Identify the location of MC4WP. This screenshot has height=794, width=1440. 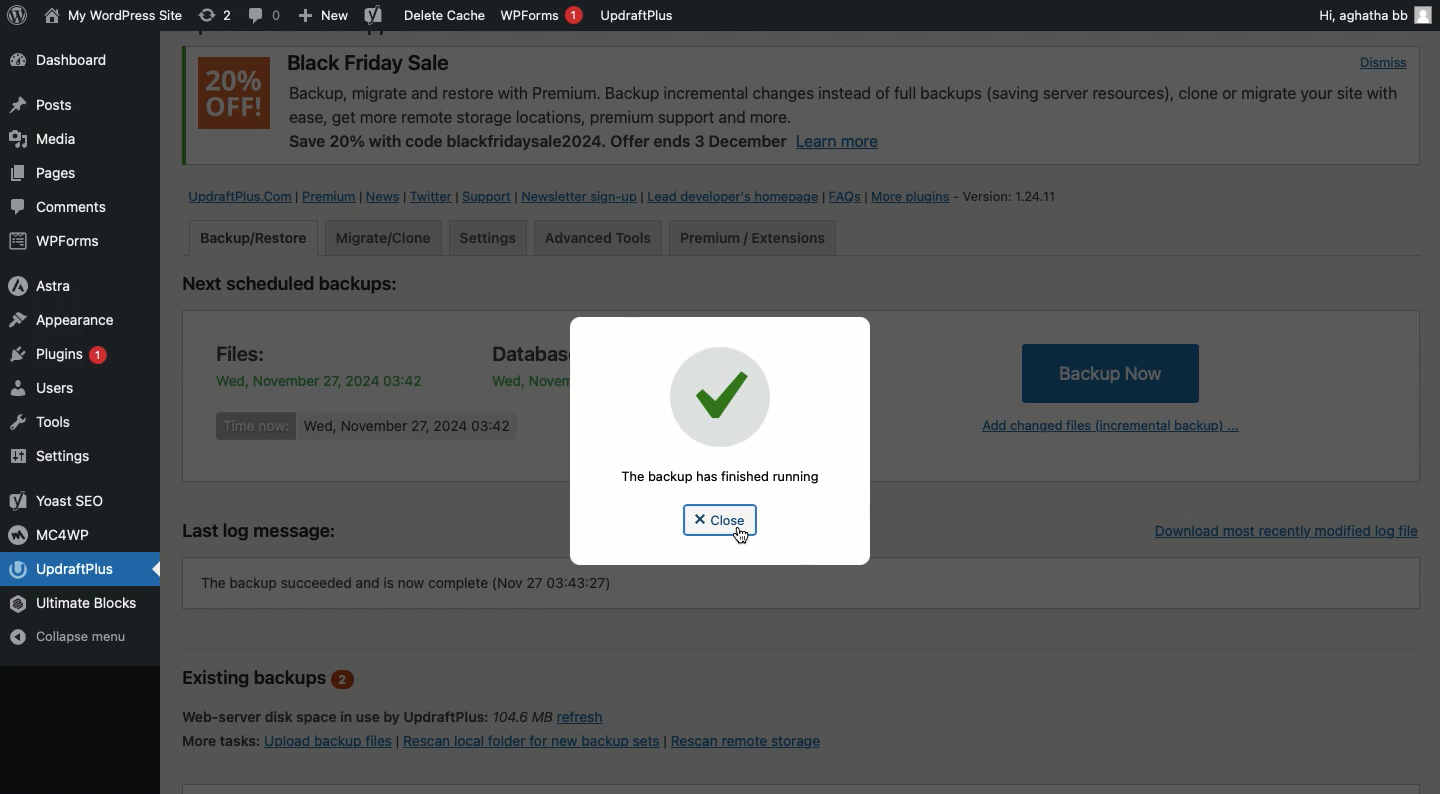
(55, 533).